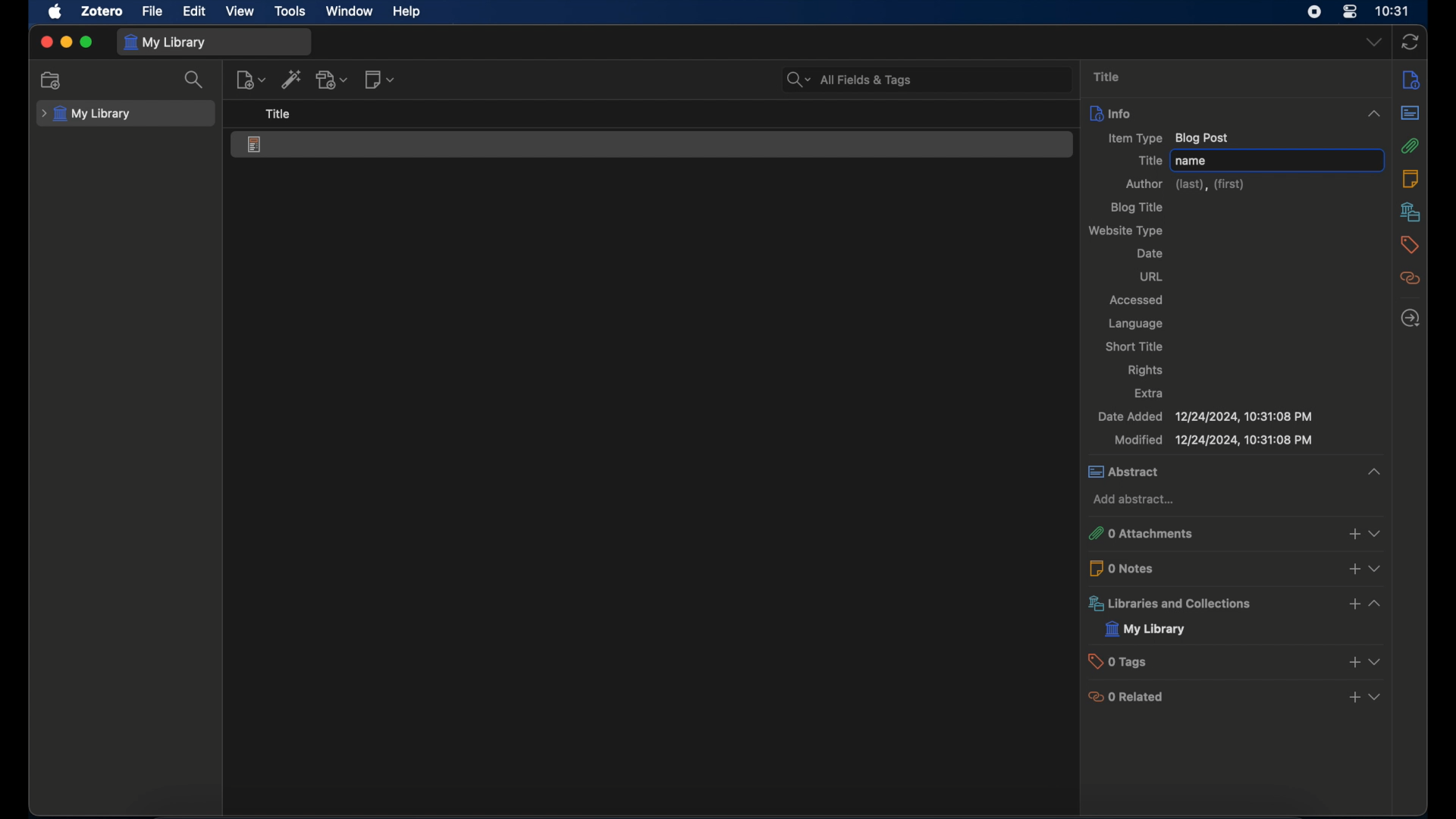 Image resolution: width=1456 pixels, height=819 pixels. What do you see at coordinates (1412, 79) in the screenshot?
I see `info` at bounding box center [1412, 79].